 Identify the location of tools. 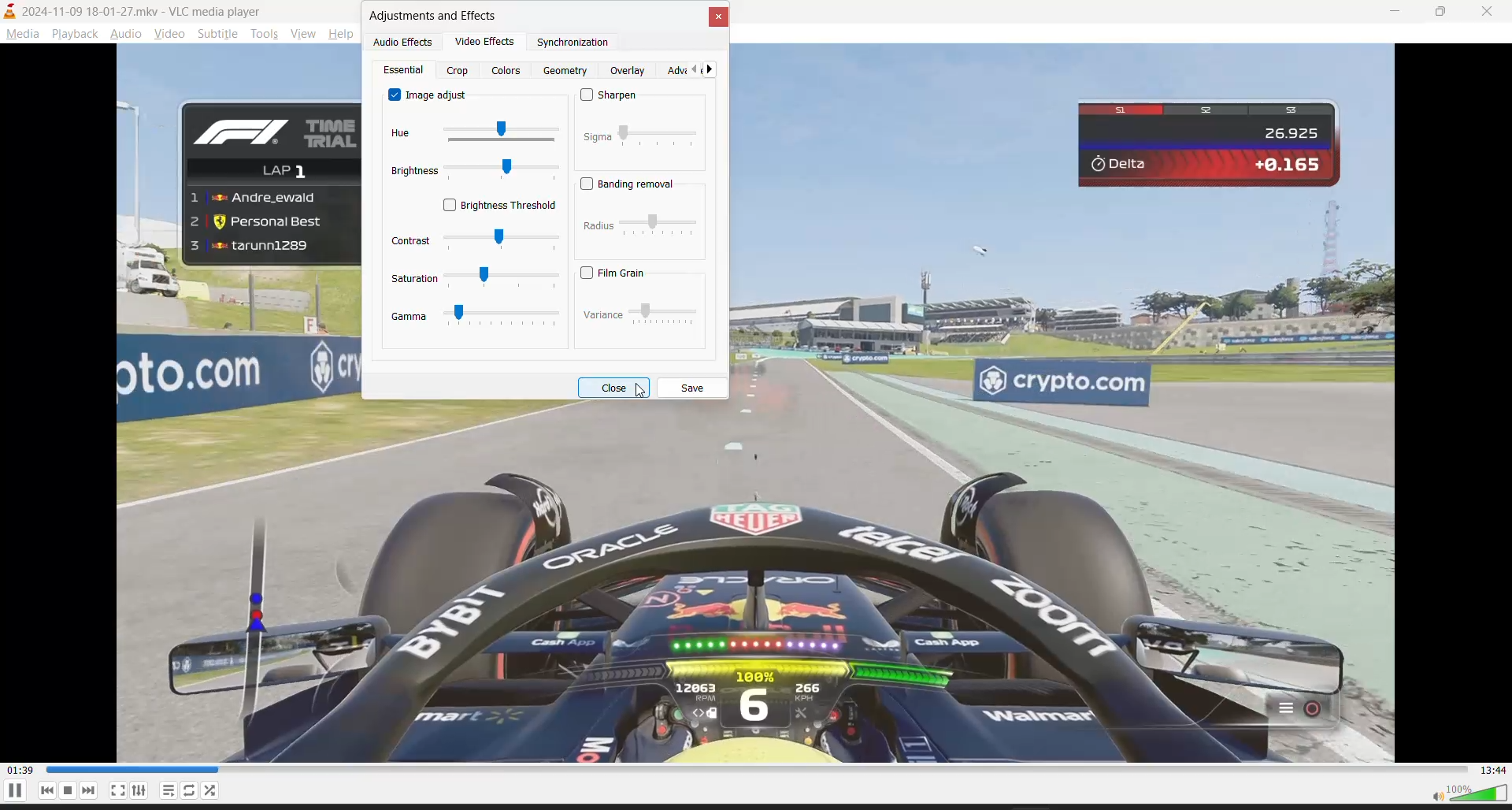
(263, 34).